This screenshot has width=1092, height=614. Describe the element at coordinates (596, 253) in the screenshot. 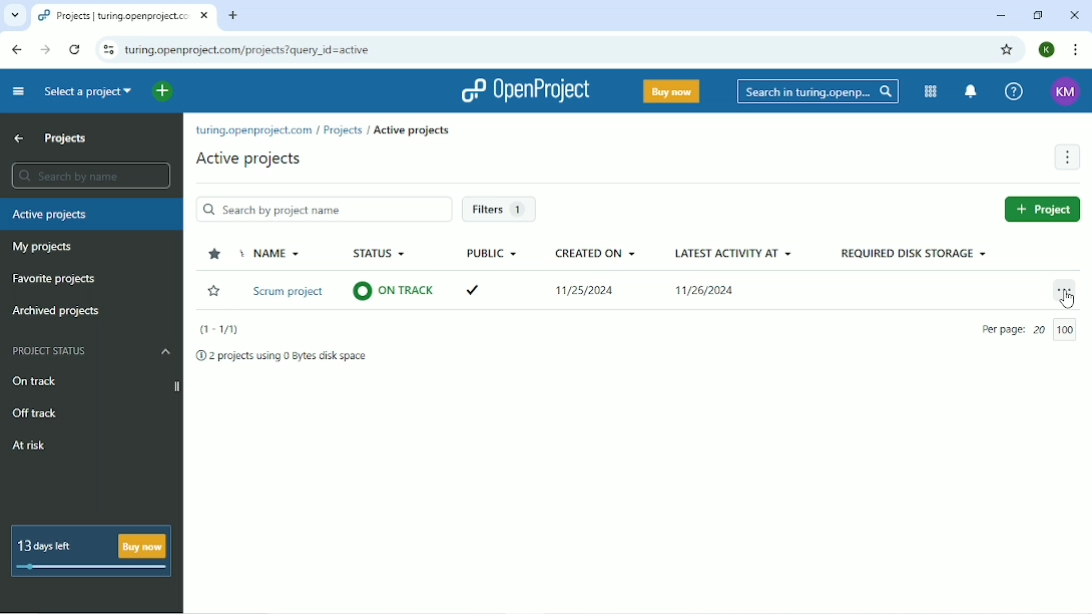

I see `Created on` at that location.